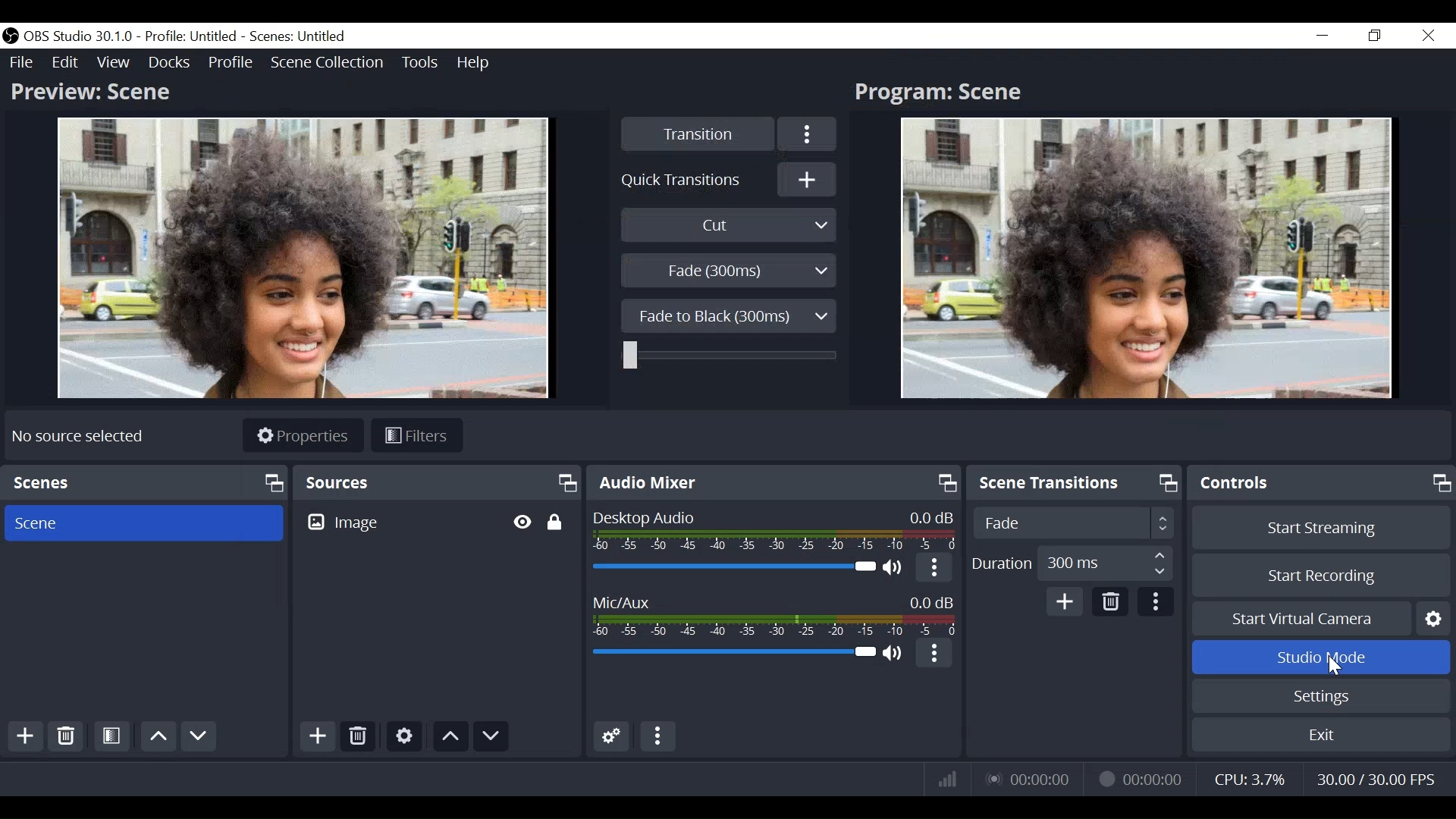 The height and width of the screenshot is (819, 1456). What do you see at coordinates (1065, 603) in the screenshot?
I see `Add Transition` at bounding box center [1065, 603].